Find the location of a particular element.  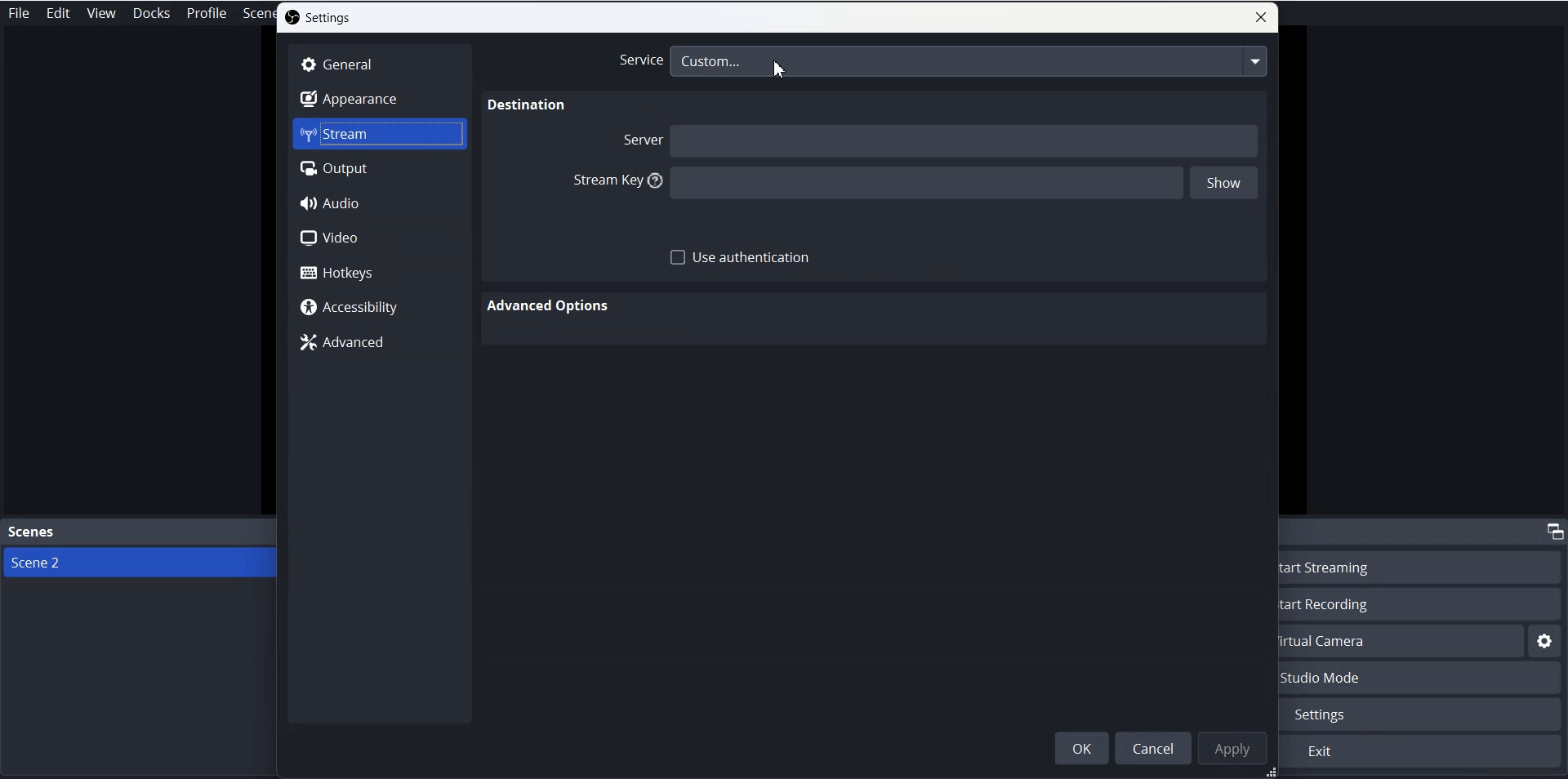

OK is located at coordinates (1081, 748).